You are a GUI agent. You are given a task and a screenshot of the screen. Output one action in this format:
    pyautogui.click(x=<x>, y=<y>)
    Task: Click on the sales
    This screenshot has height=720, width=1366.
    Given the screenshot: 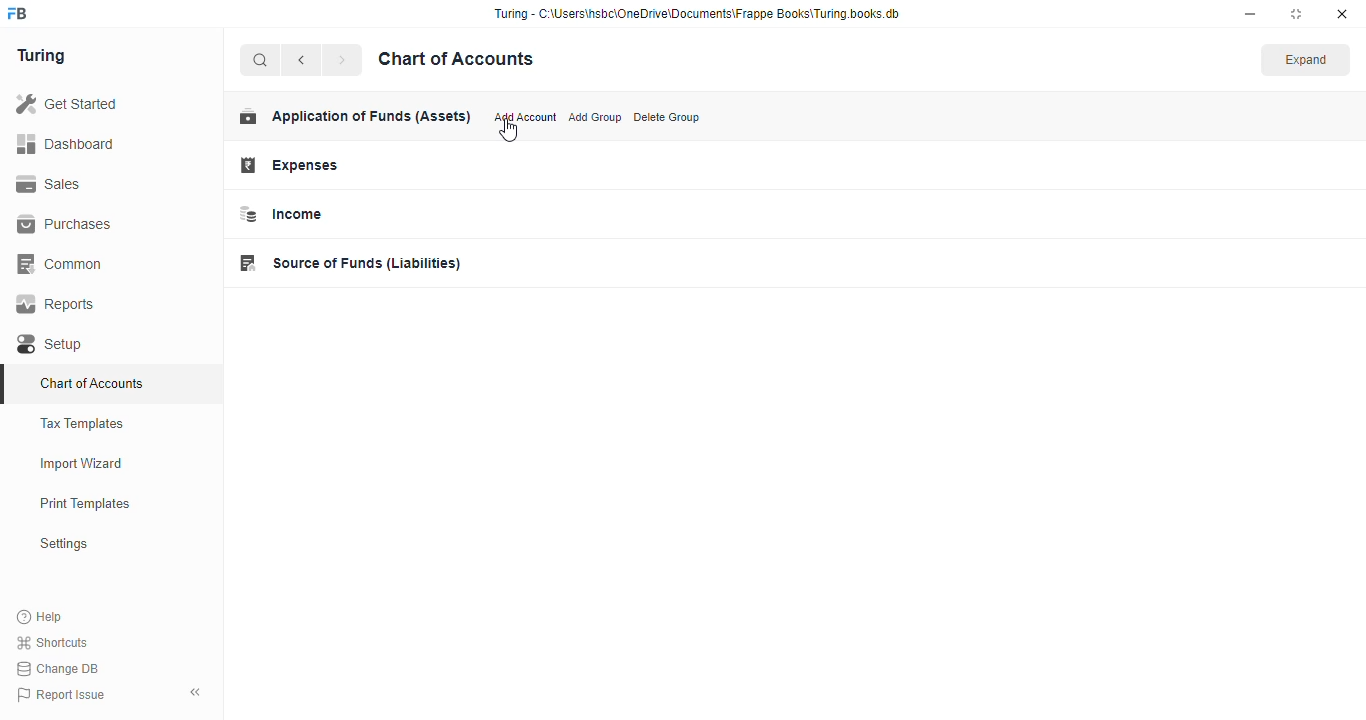 What is the action you would take?
    pyautogui.click(x=49, y=184)
    